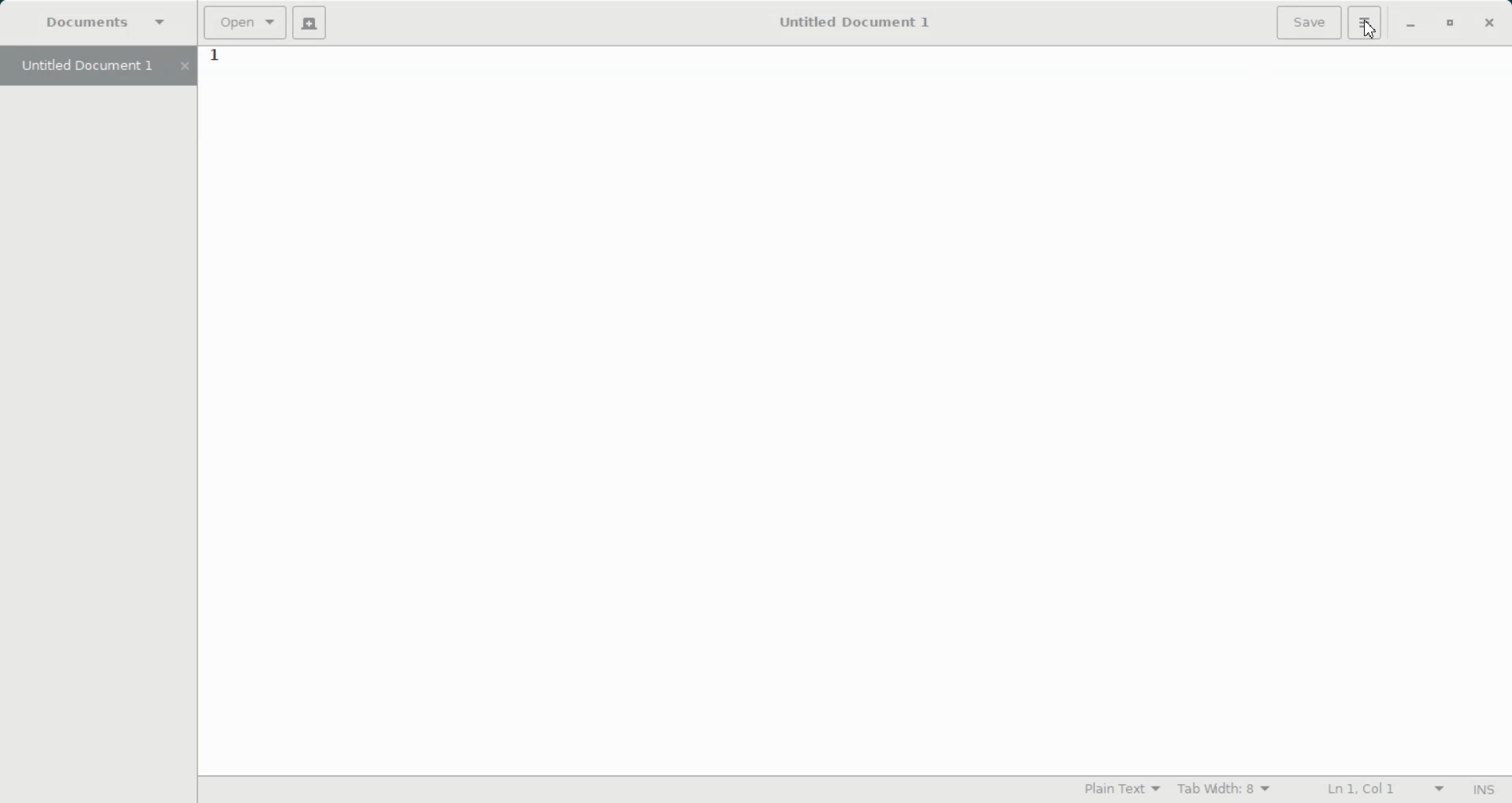 Image resolution: width=1512 pixels, height=803 pixels. Describe the element at coordinates (845, 21) in the screenshot. I see `Untitled Document 1` at that location.